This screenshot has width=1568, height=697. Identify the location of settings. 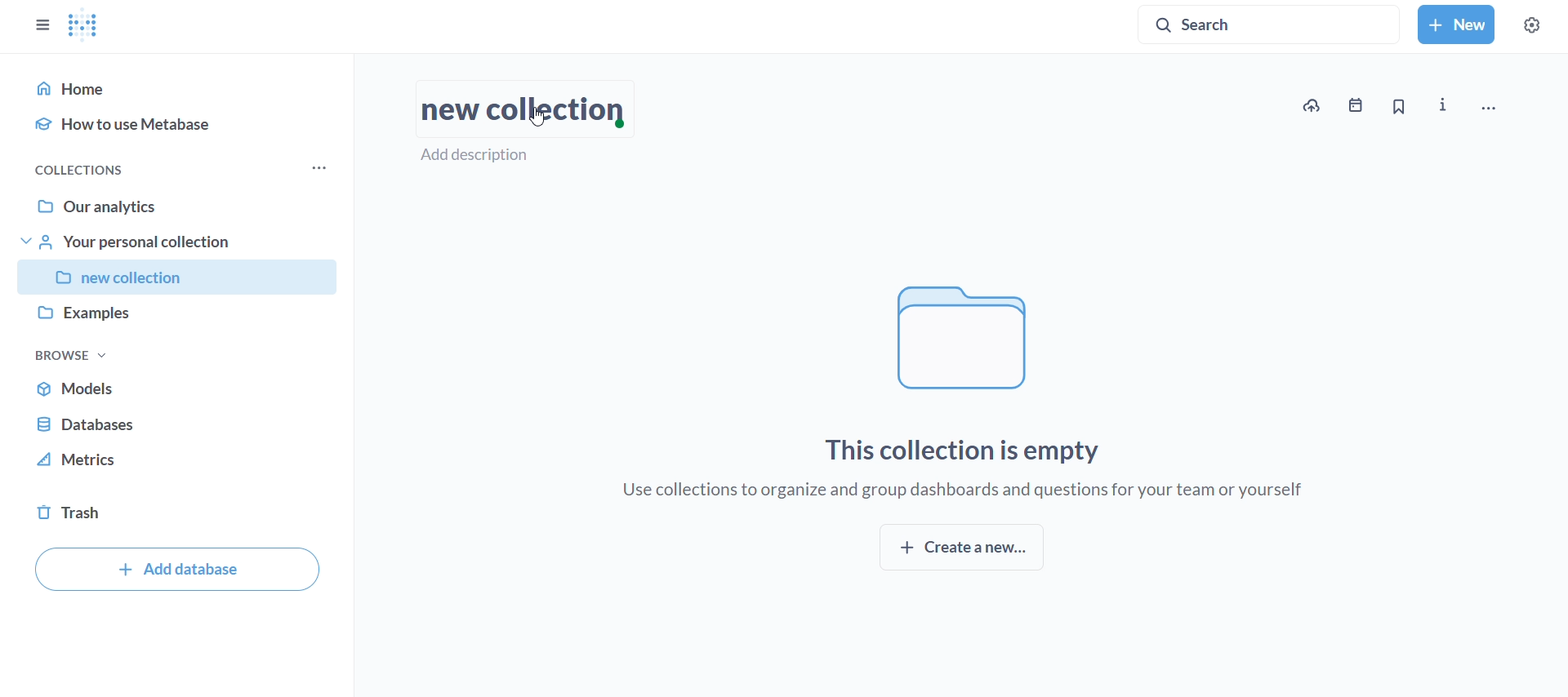
(1540, 21).